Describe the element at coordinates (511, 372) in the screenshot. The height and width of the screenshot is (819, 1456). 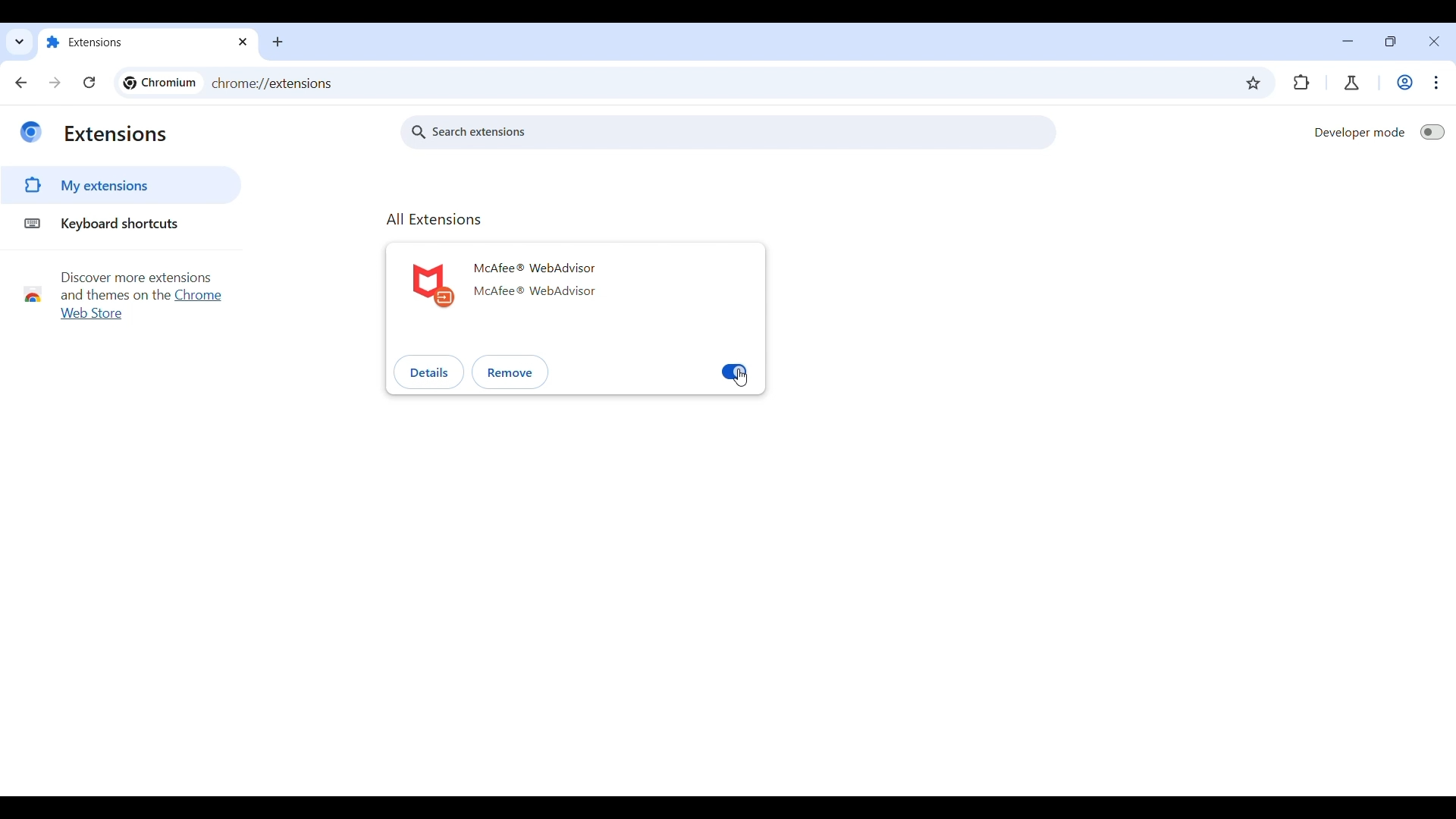
I see `Remove extension` at that location.